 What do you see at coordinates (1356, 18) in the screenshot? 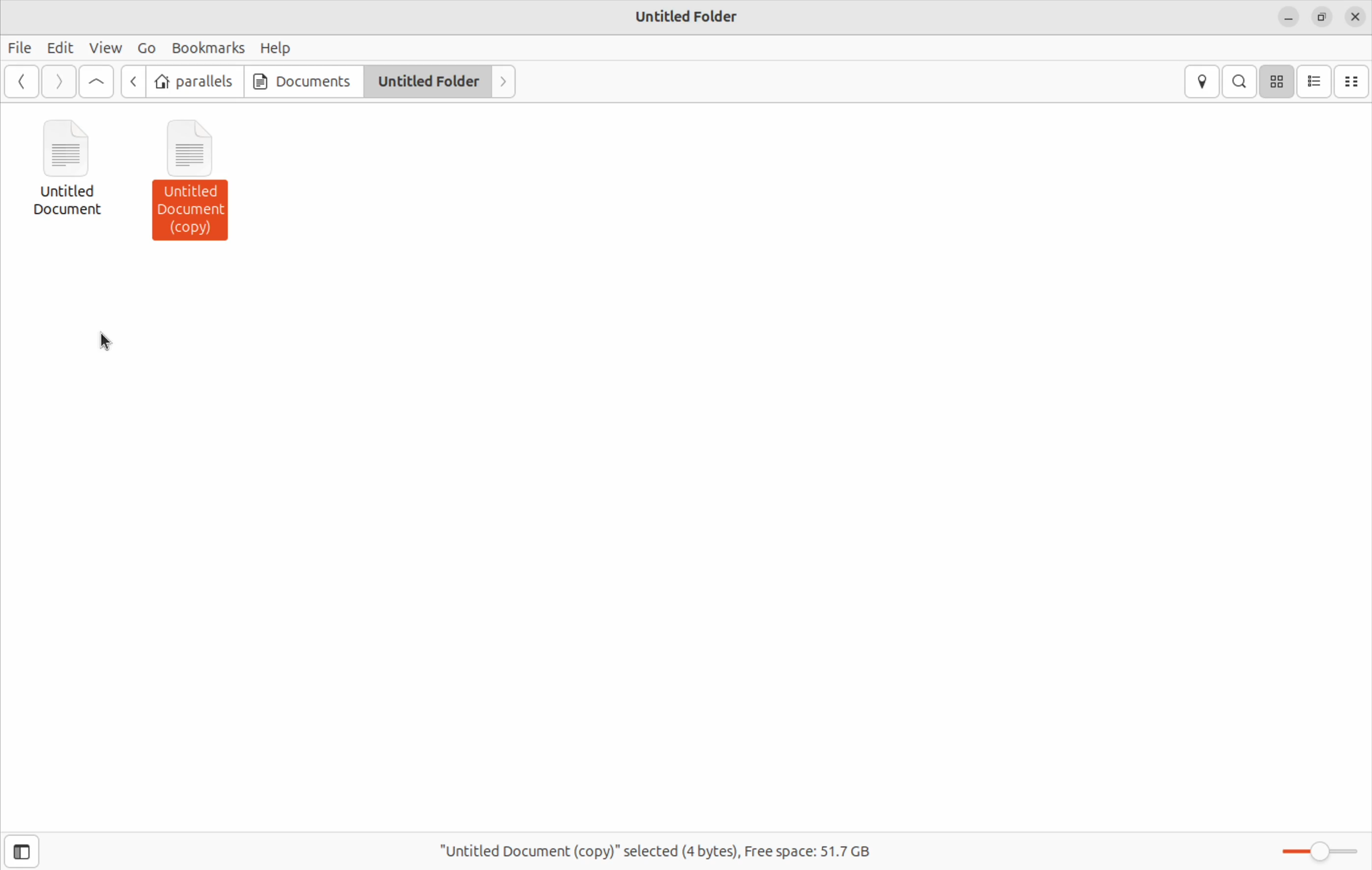
I see `close` at bounding box center [1356, 18].